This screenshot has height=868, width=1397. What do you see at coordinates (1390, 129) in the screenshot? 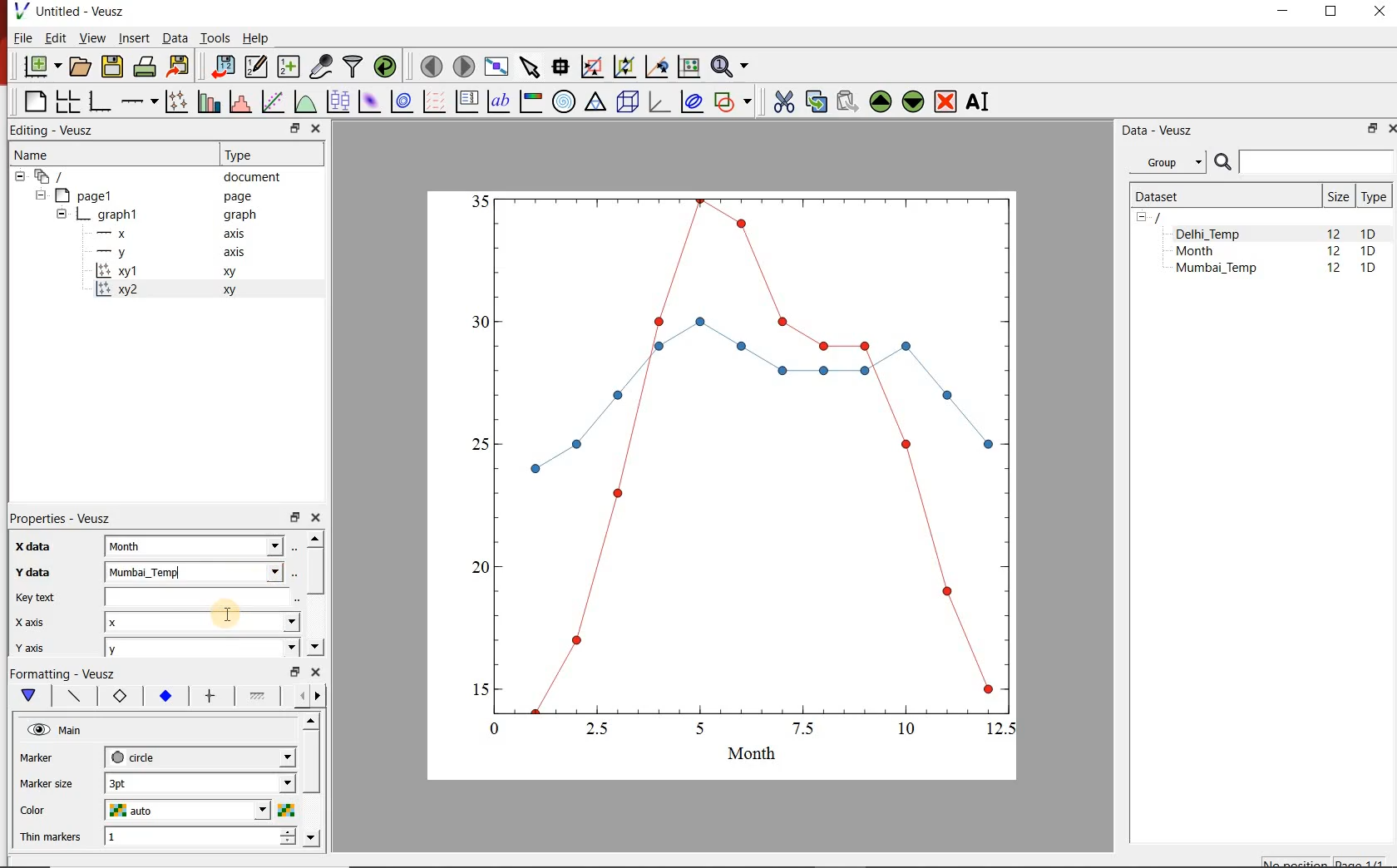
I see `CLOSE` at bounding box center [1390, 129].